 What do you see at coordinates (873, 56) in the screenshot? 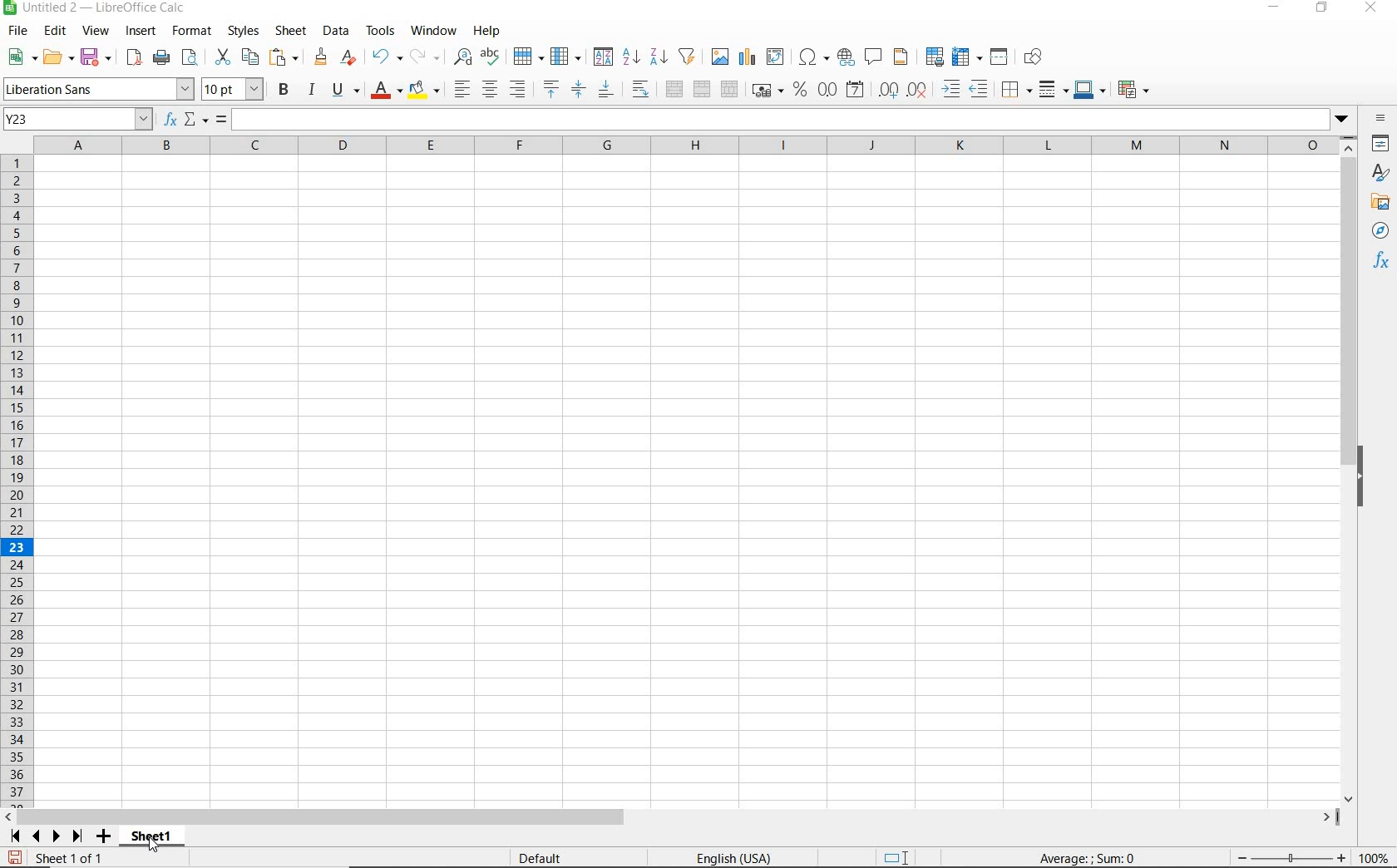
I see `INSERT COMMENT` at bounding box center [873, 56].